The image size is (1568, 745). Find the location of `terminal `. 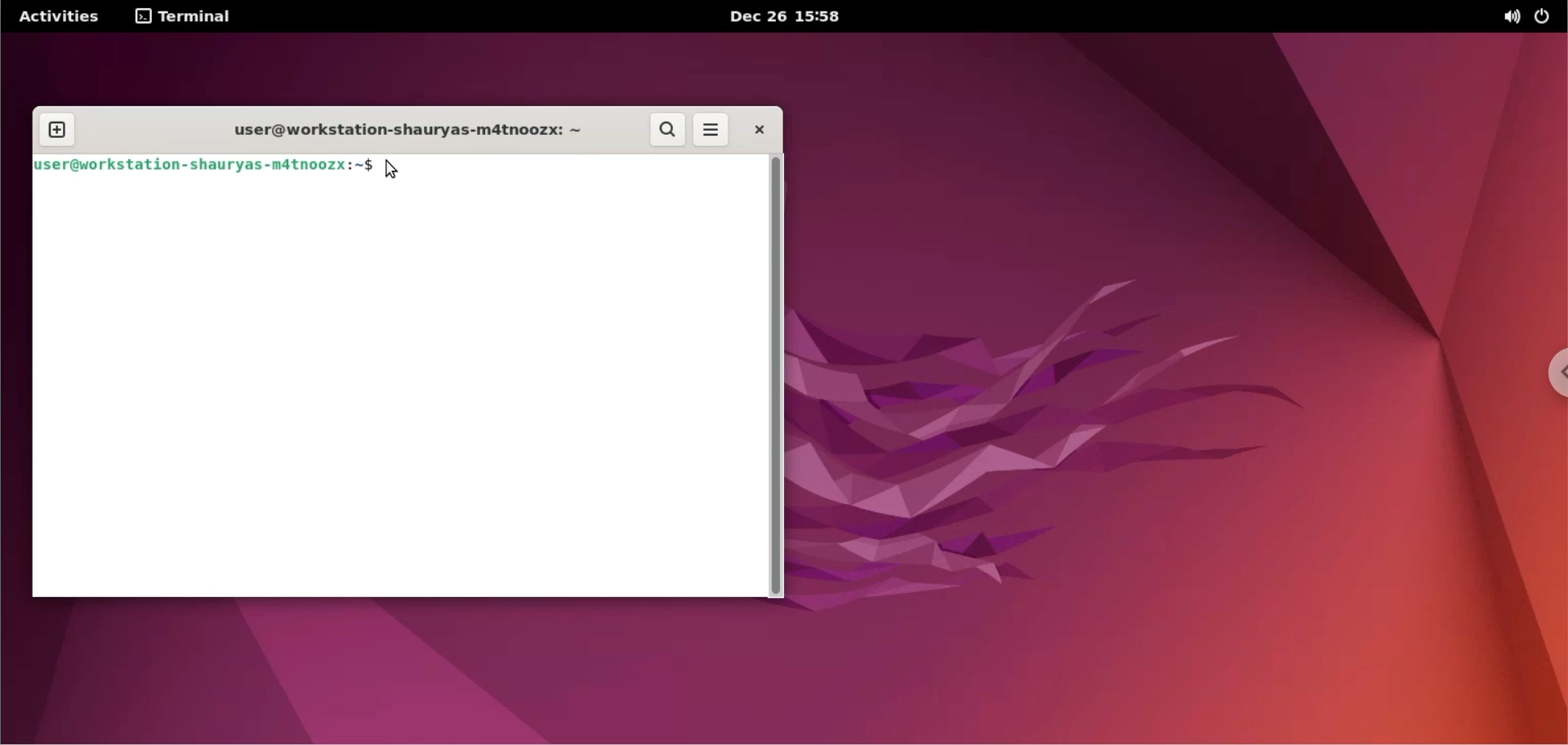

terminal  is located at coordinates (185, 18).